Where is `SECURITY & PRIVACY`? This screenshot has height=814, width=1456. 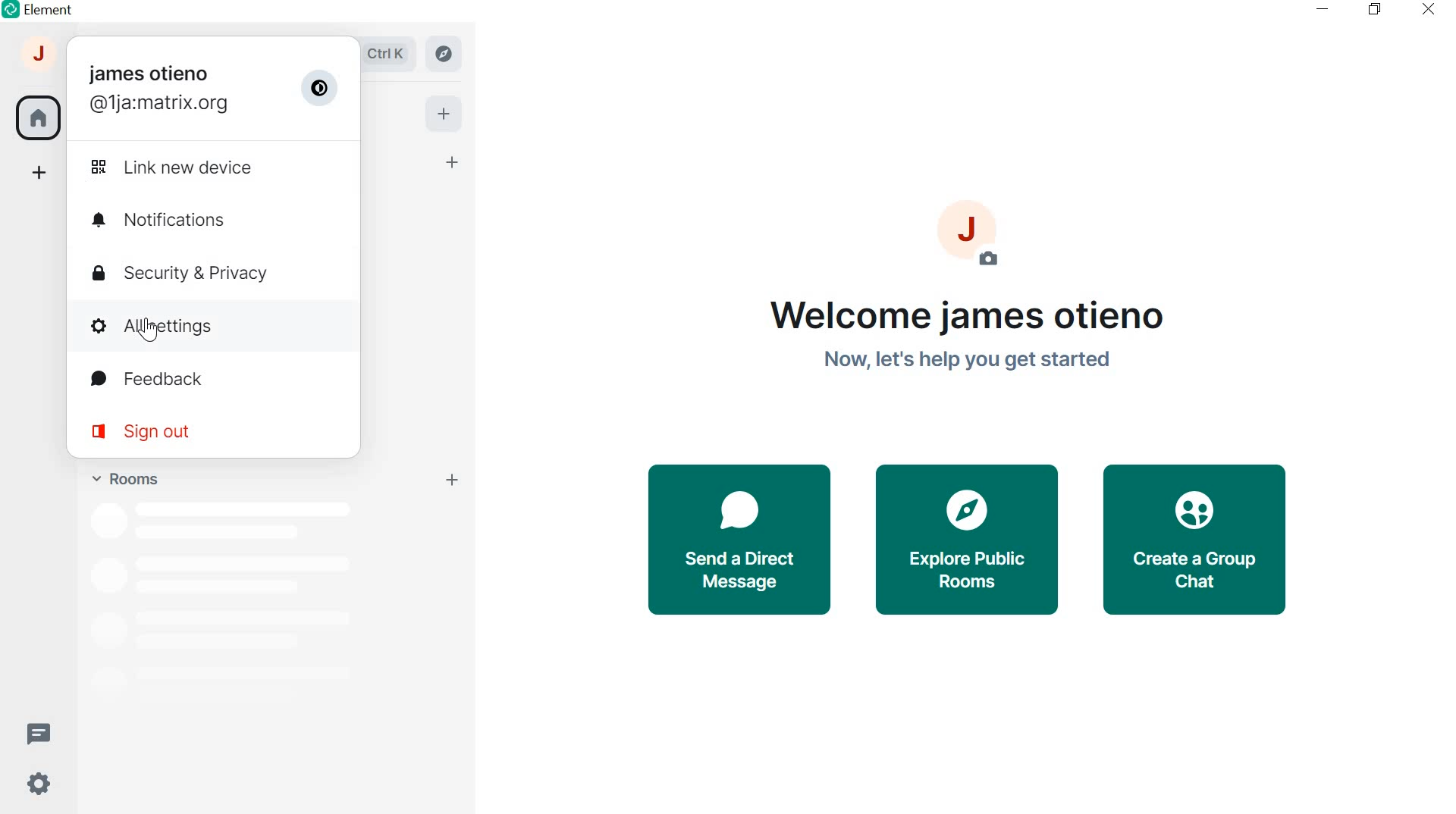 SECURITY & PRIVACY is located at coordinates (206, 274).